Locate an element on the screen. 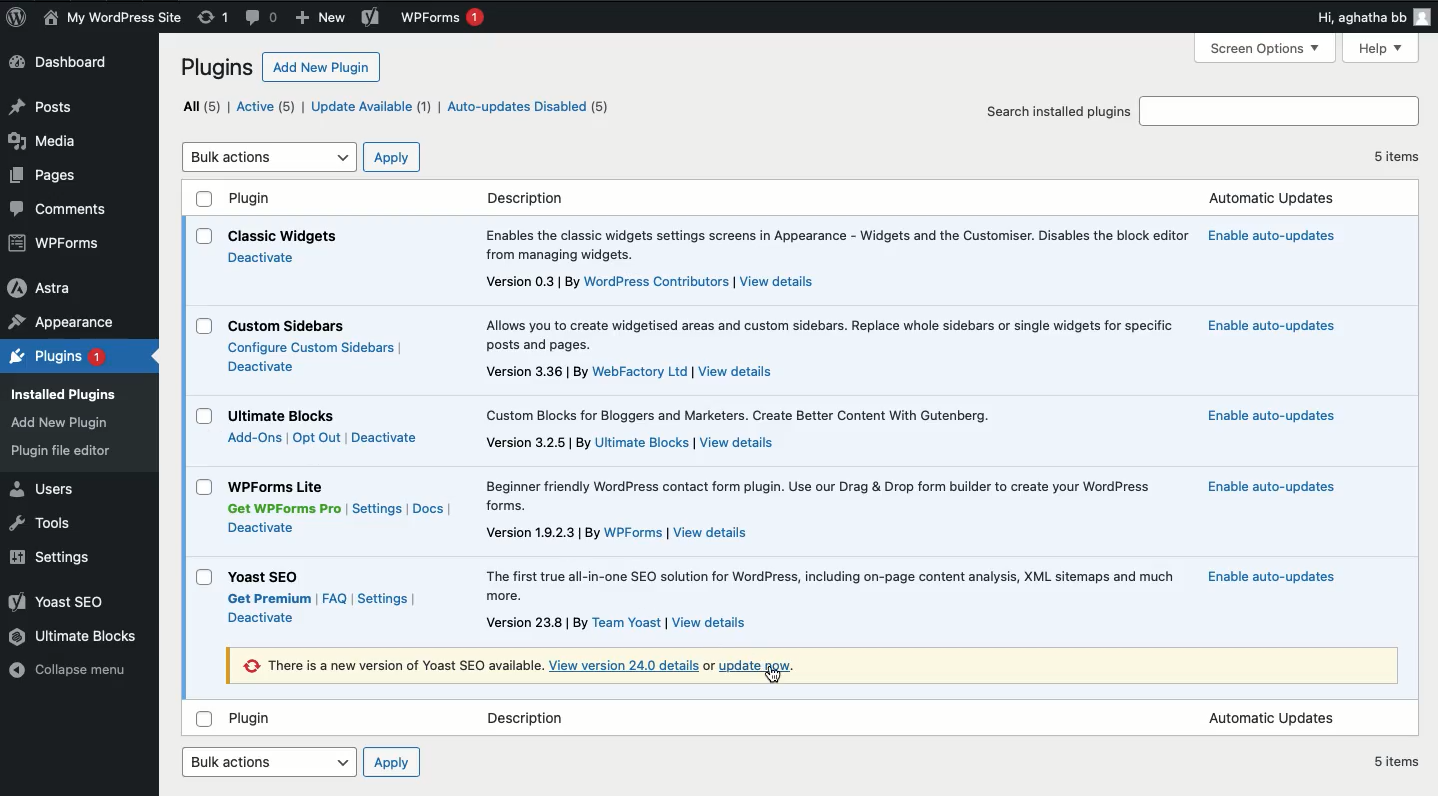  Yoast is located at coordinates (66, 602).